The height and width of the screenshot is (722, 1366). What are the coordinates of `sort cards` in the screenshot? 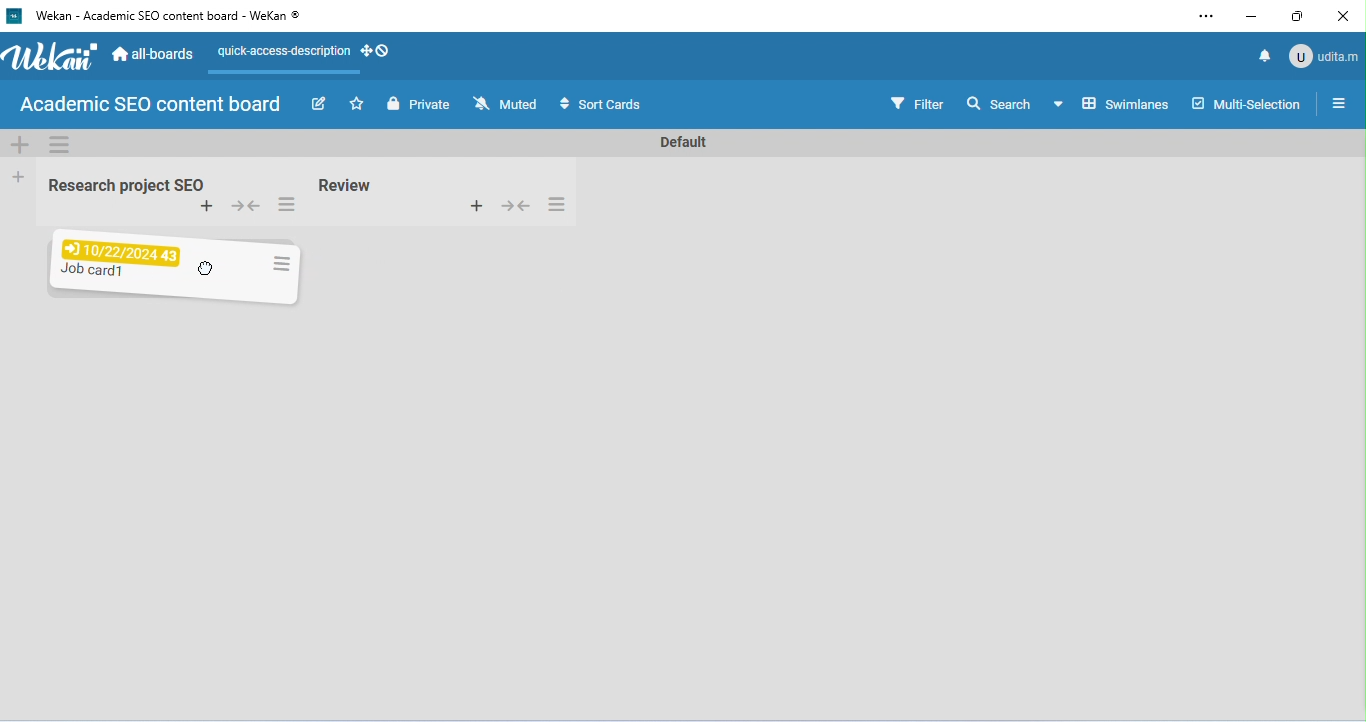 It's located at (598, 105).